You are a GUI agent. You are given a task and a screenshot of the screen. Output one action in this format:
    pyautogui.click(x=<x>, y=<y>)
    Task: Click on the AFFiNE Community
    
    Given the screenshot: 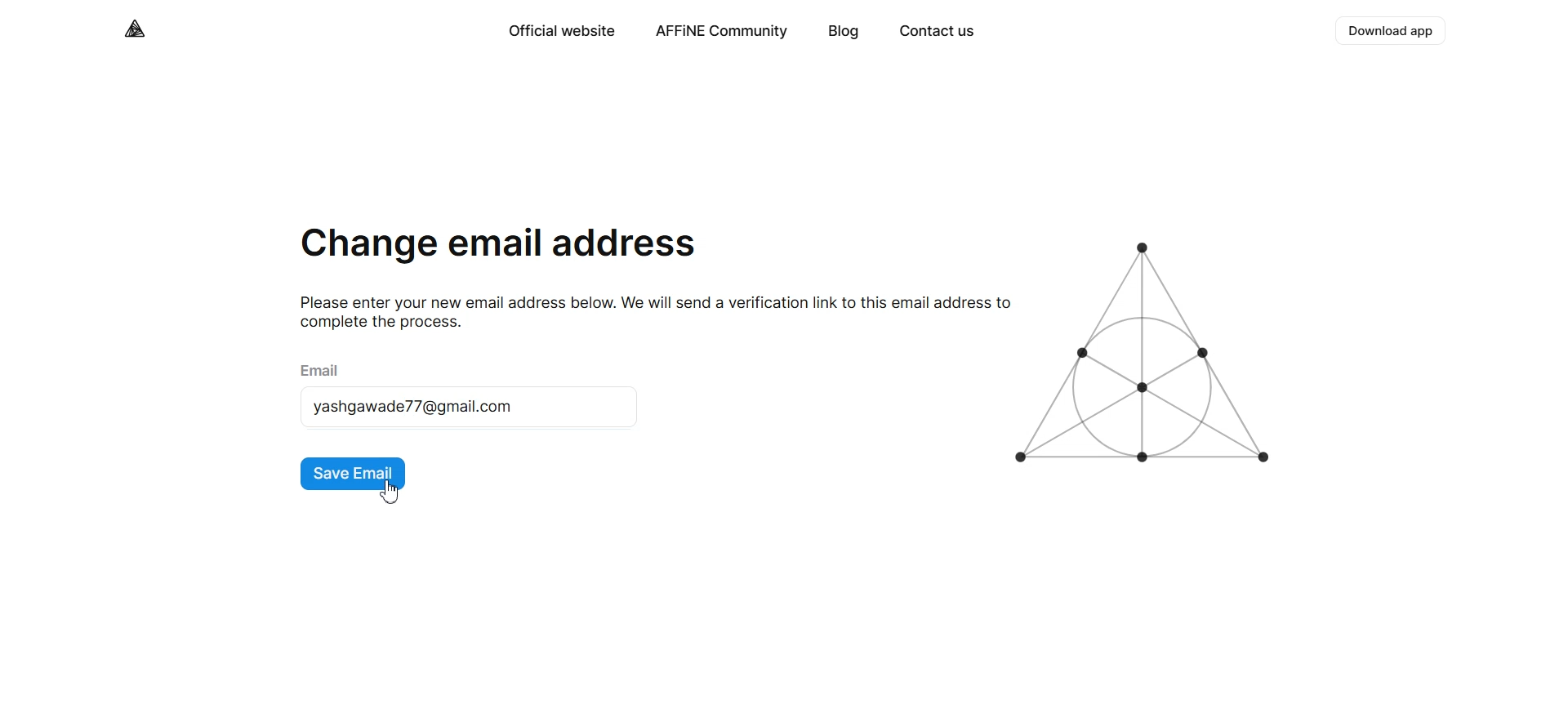 What is the action you would take?
    pyautogui.click(x=722, y=32)
    